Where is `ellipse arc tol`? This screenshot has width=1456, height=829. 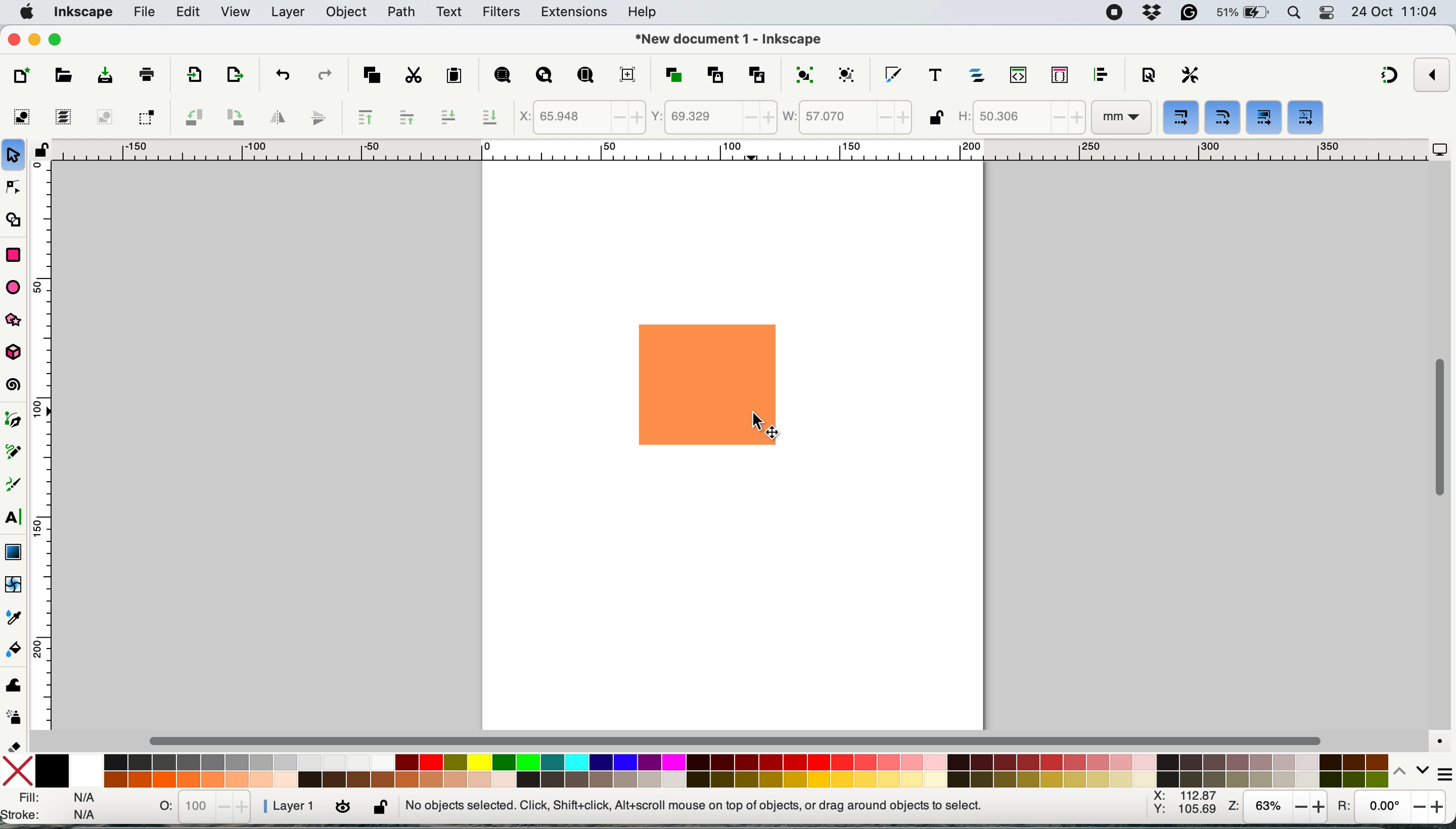
ellipse arc tol is located at coordinates (17, 286).